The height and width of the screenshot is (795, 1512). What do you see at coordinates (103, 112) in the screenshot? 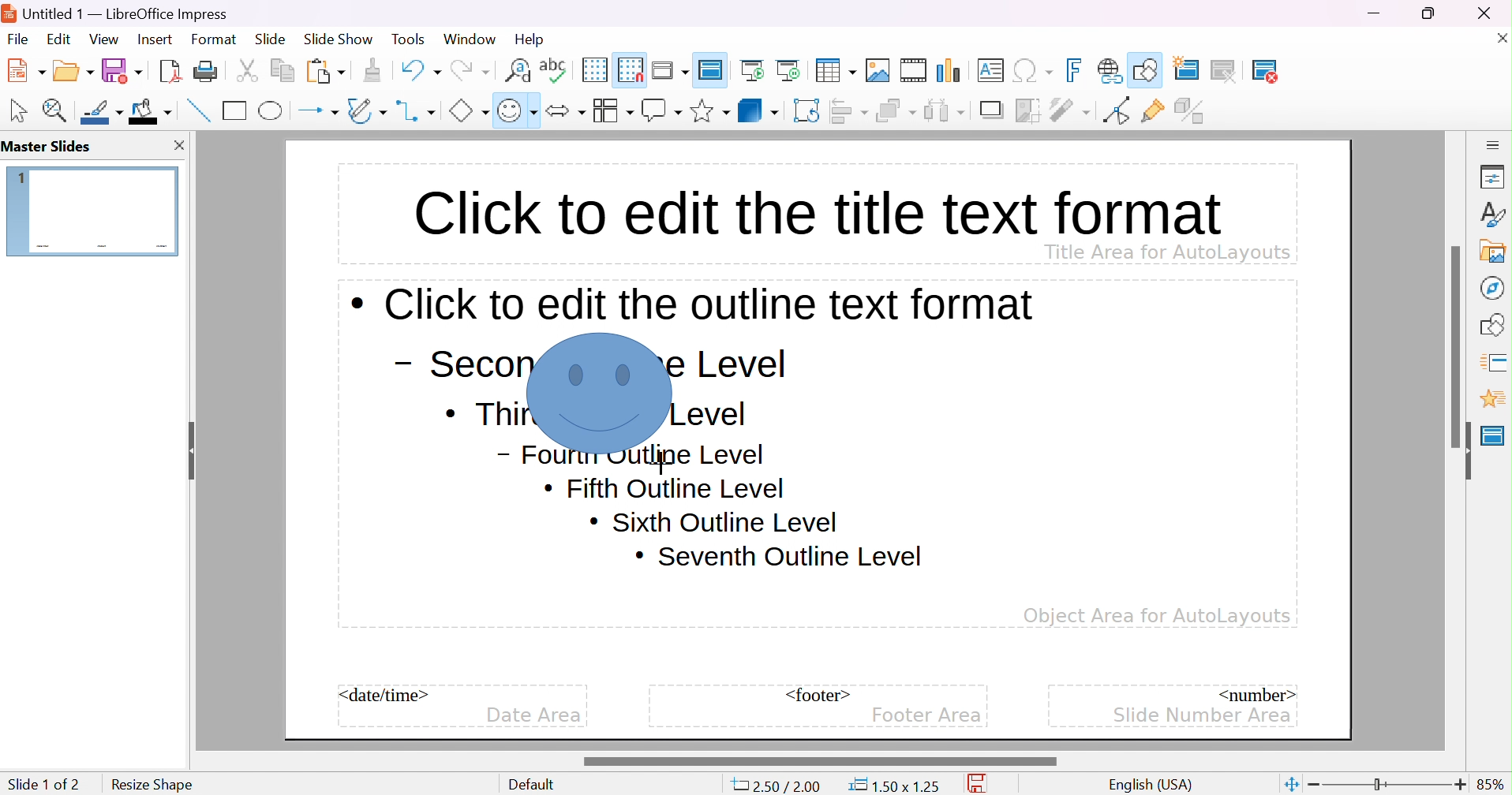
I see `line color` at bounding box center [103, 112].